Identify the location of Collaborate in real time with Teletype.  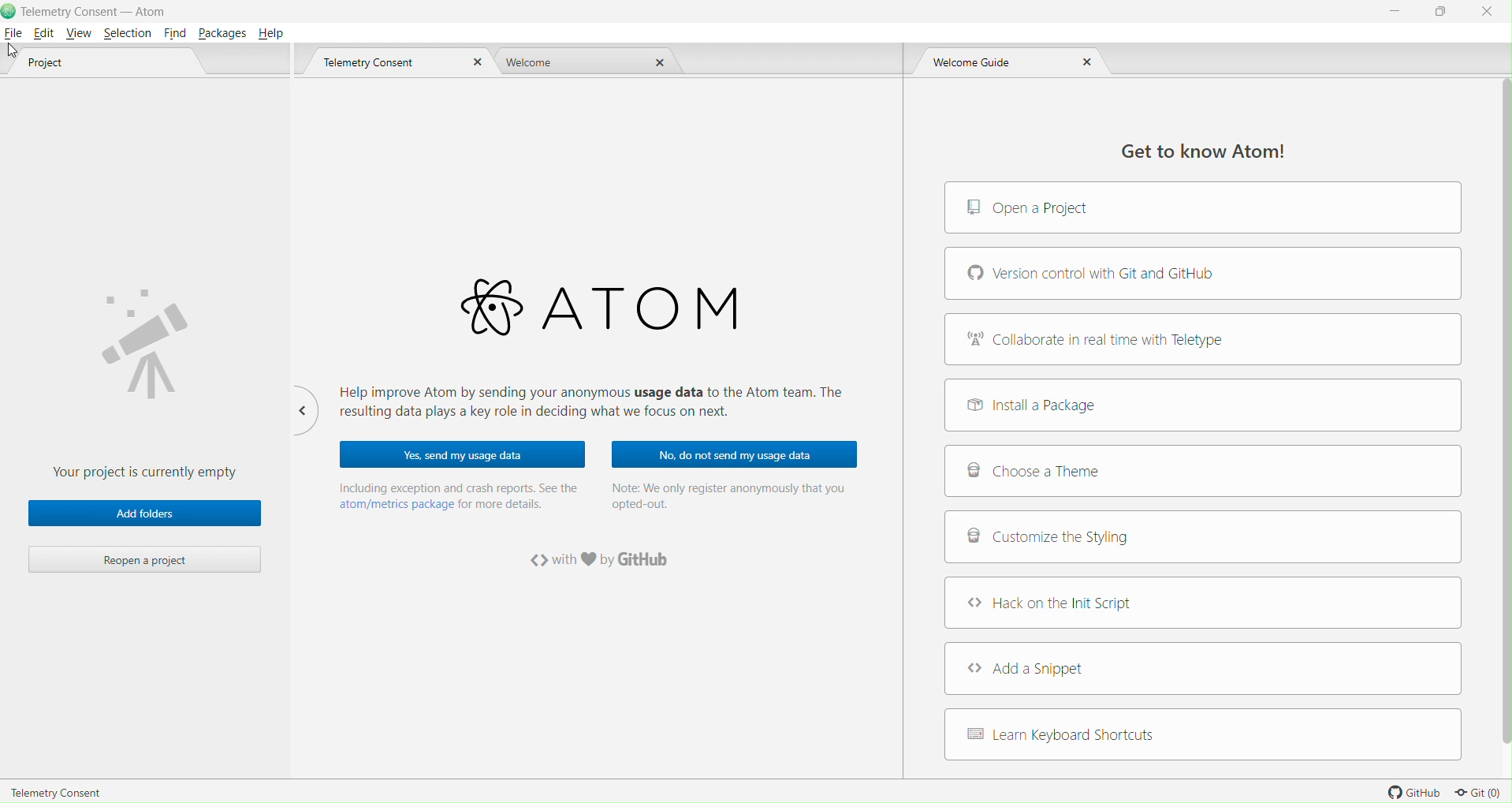
(1204, 338).